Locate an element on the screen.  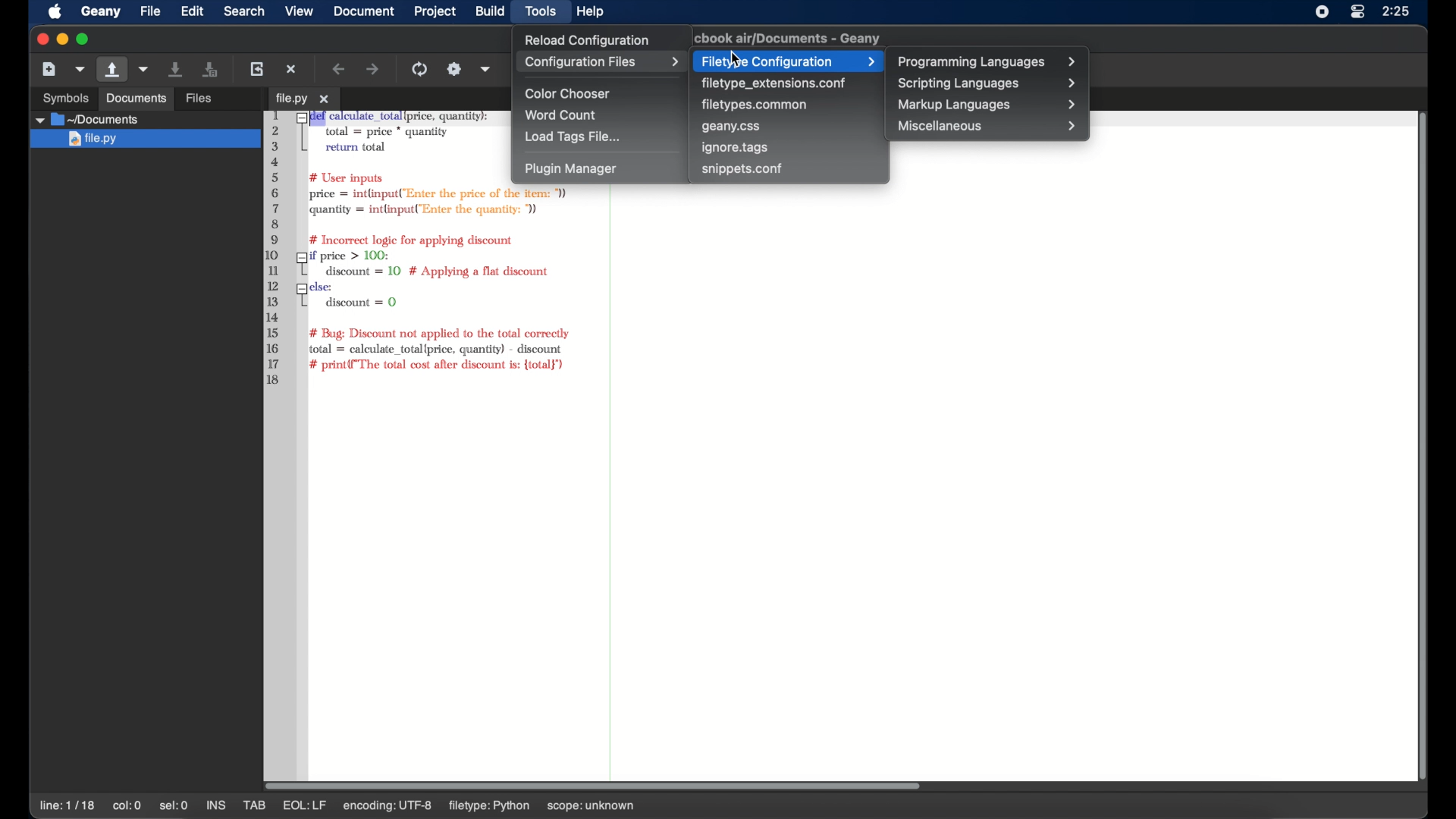
build is located at coordinates (490, 11).